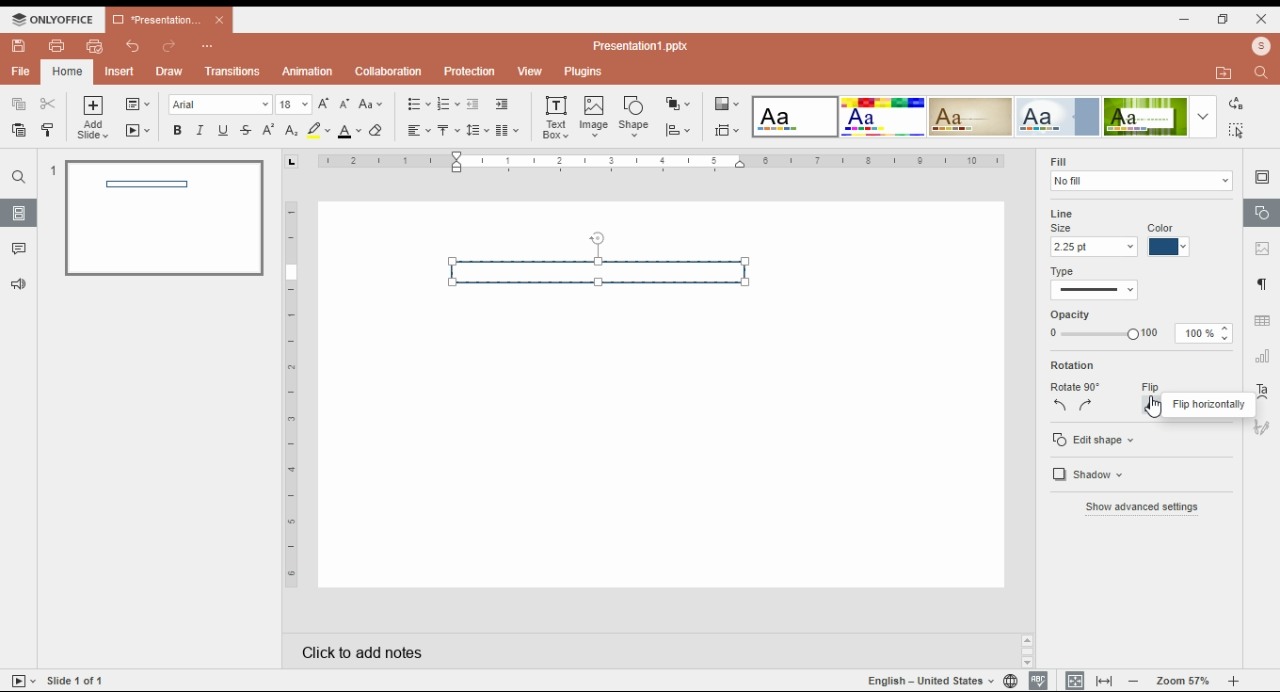 The height and width of the screenshot is (692, 1280). Describe the element at coordinates (122, 71) in the screenshot. I see `insert` at that location.